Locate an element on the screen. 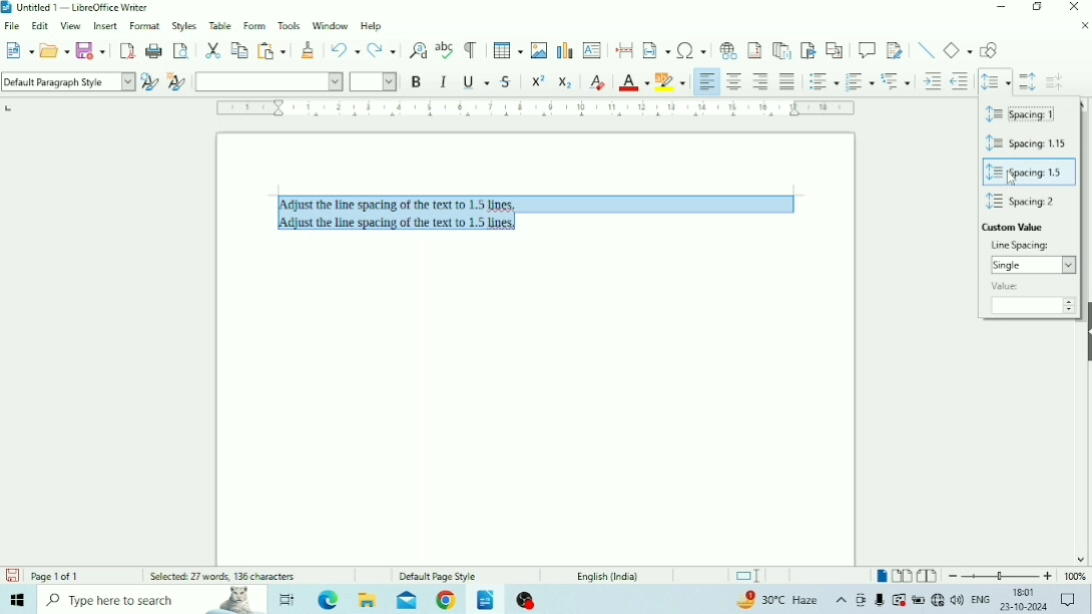 The width and height of the screenshot is (1092, 614). Styles is located at coordinates (184, 25).